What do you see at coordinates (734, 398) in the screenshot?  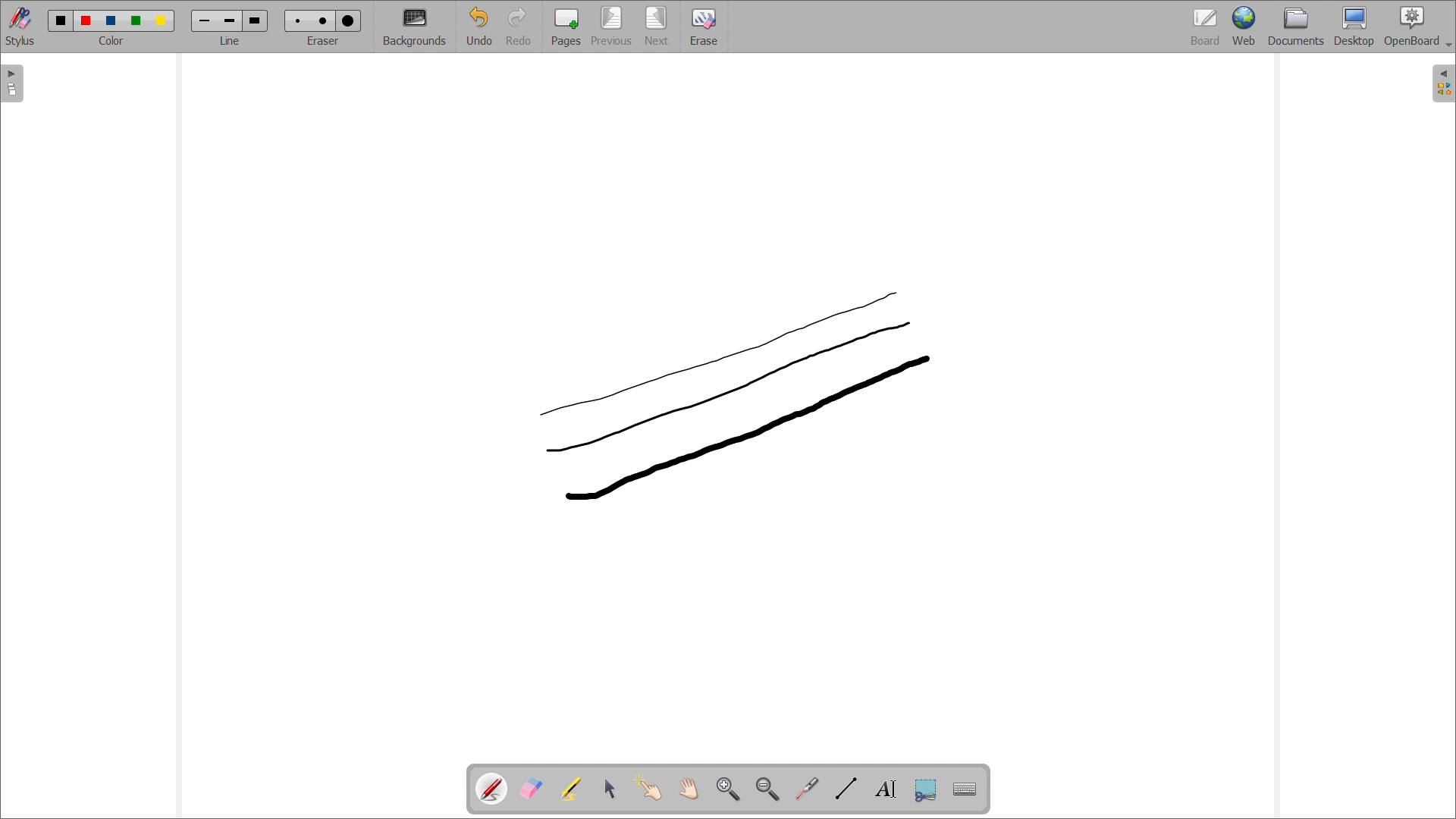 I see `3rd line drawn` at bounding box center [734, 398].